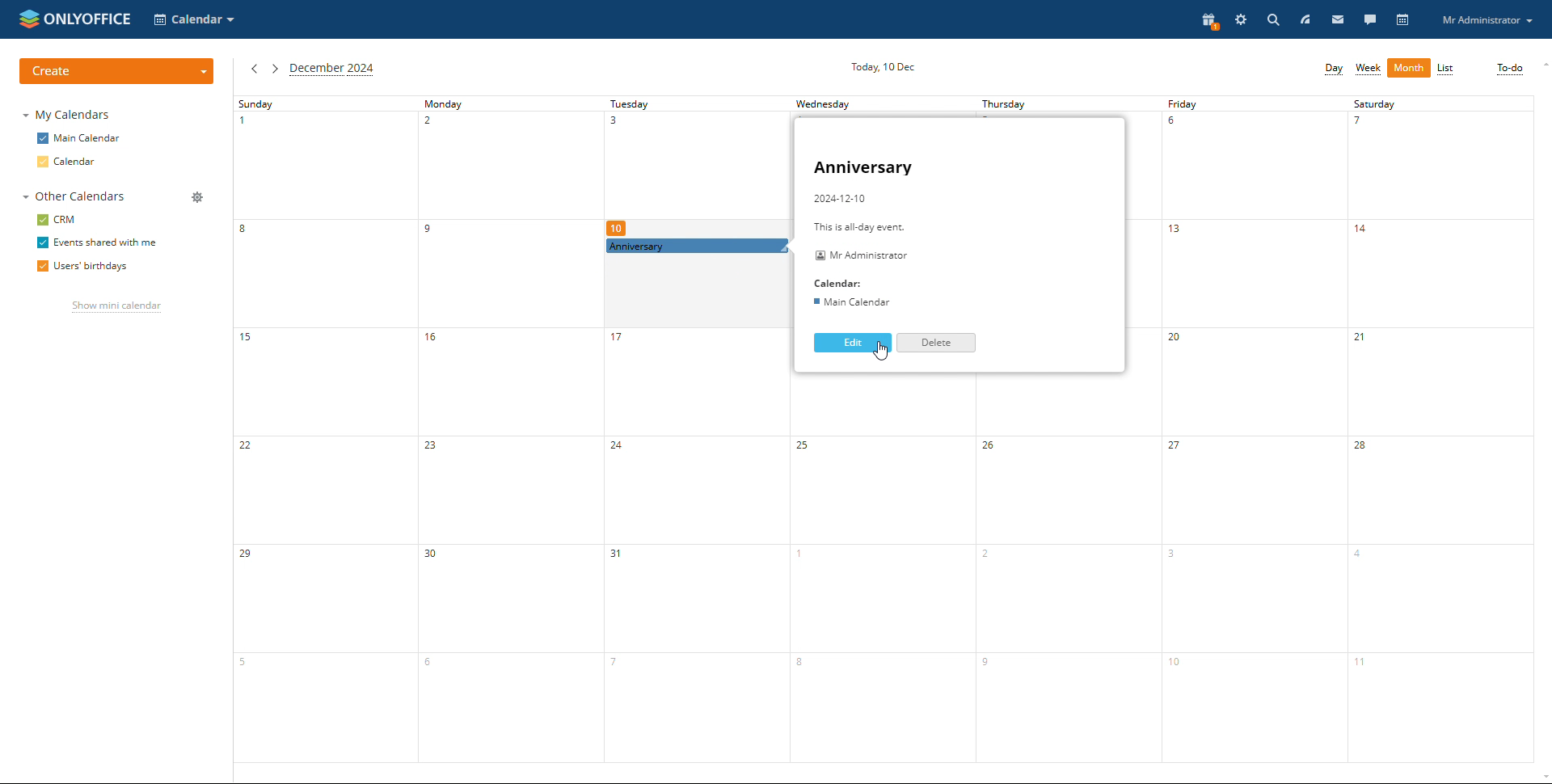 The height and width of the screenshot is (784, 1552). What do you see at coordinates (877, 352) in the screenshot?
I see `cursor` at bounding box center [877, 352].